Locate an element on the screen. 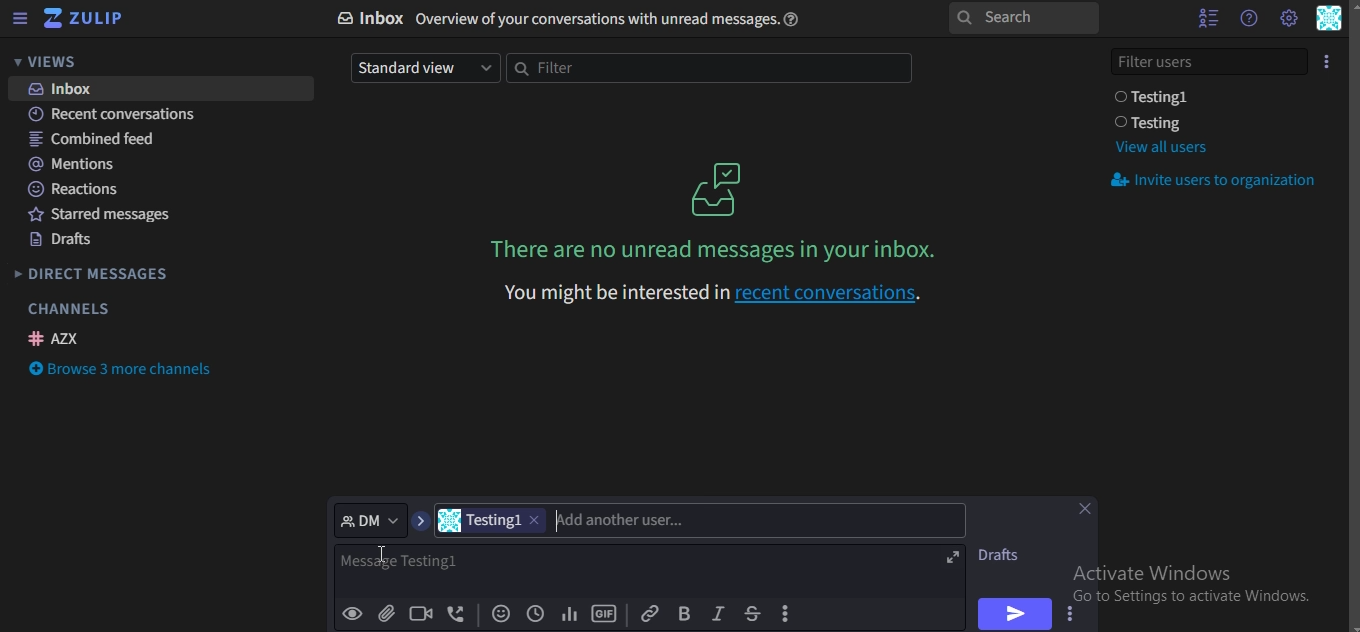  compose actions is located at coordinates (788, 614).